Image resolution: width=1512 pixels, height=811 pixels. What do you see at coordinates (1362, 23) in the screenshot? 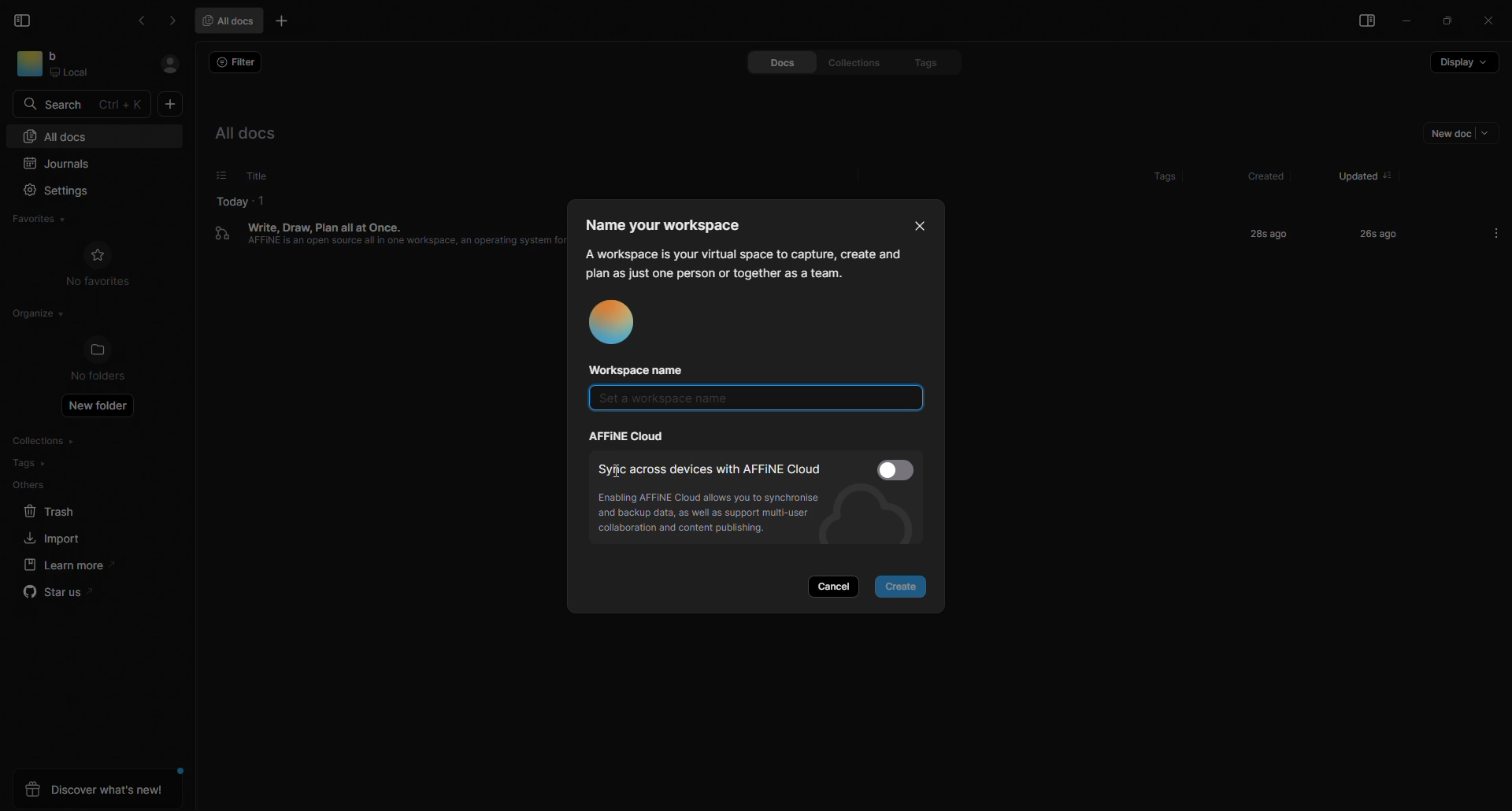
I see `view` at bounding box center [1362, 23].